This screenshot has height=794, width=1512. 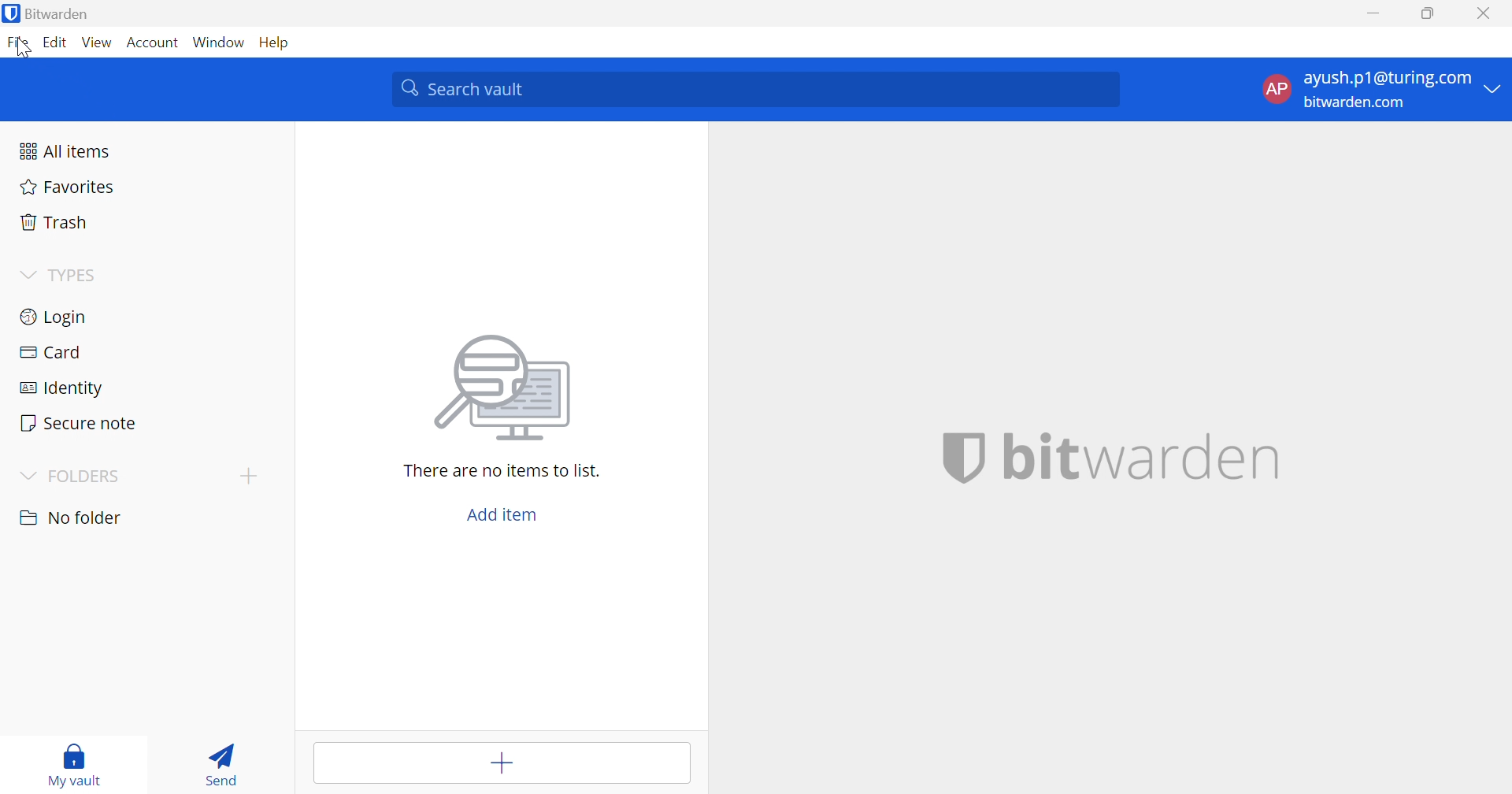 What do you see at coordinates (1426, 13) in the screenshot?
I see `Restore Down` at bounding box center [1426, 13].